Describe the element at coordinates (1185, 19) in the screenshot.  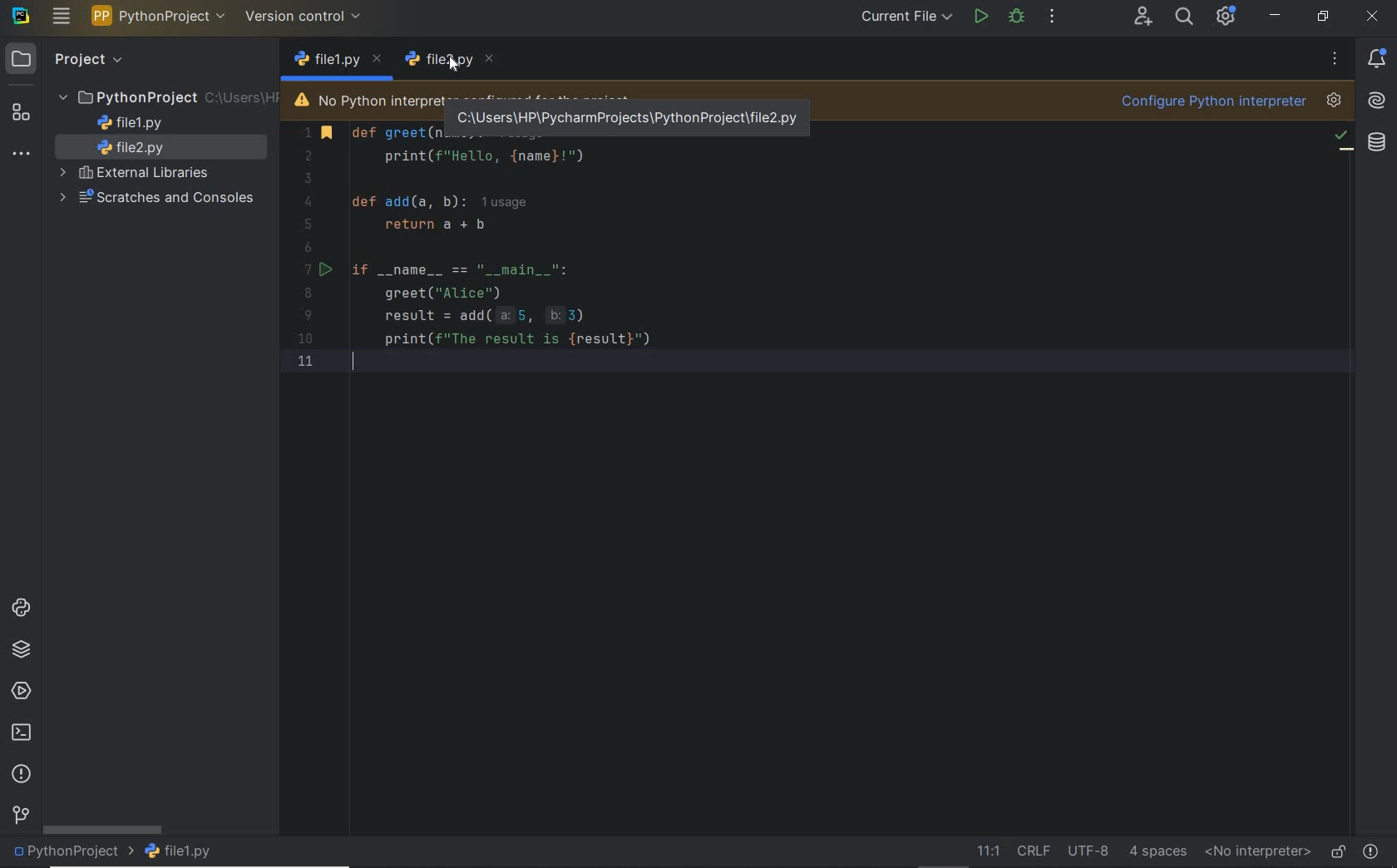
I see `search everywhere` at that location.